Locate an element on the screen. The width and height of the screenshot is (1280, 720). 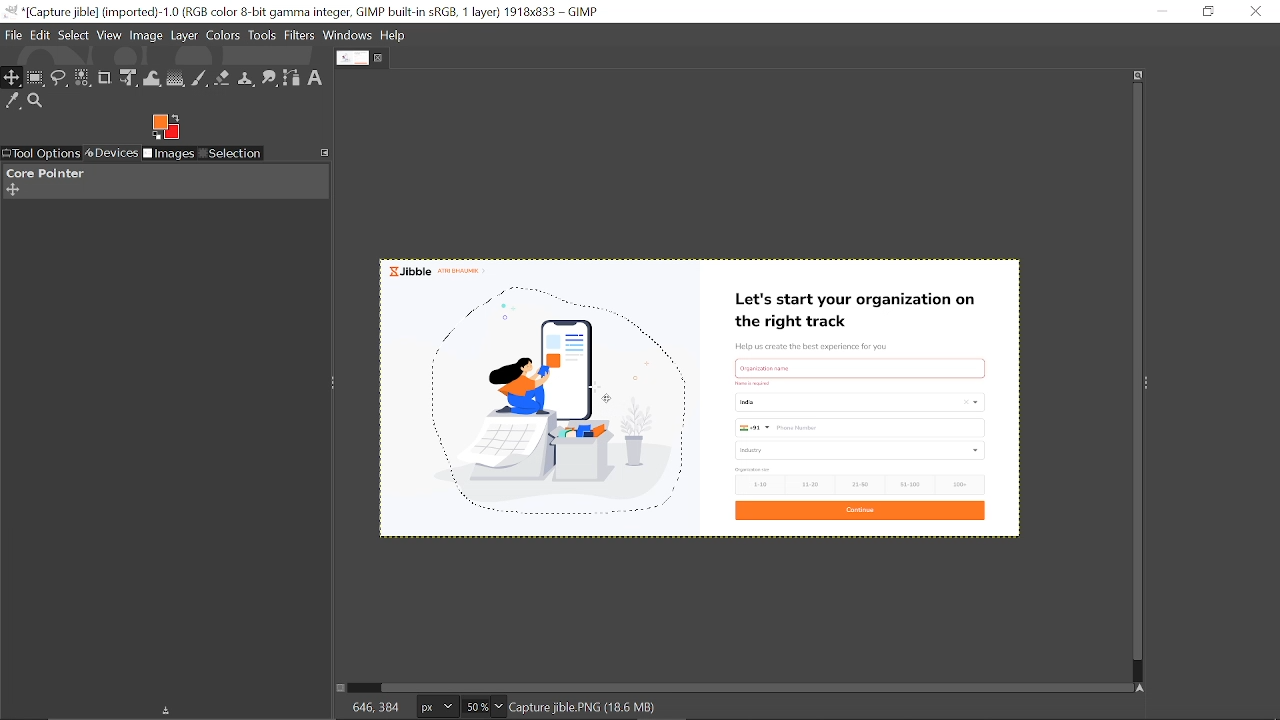
Filters is located at coordinates (300, 36).